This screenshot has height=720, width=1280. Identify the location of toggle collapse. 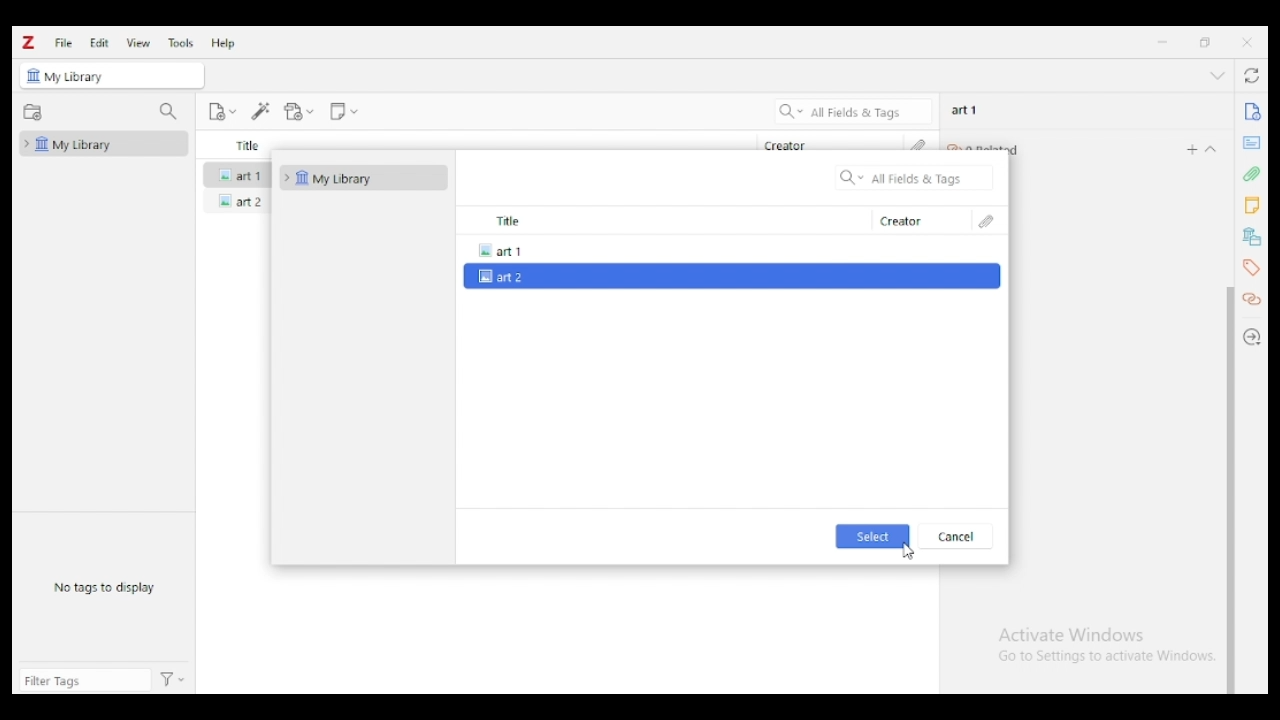
(1218, 75).